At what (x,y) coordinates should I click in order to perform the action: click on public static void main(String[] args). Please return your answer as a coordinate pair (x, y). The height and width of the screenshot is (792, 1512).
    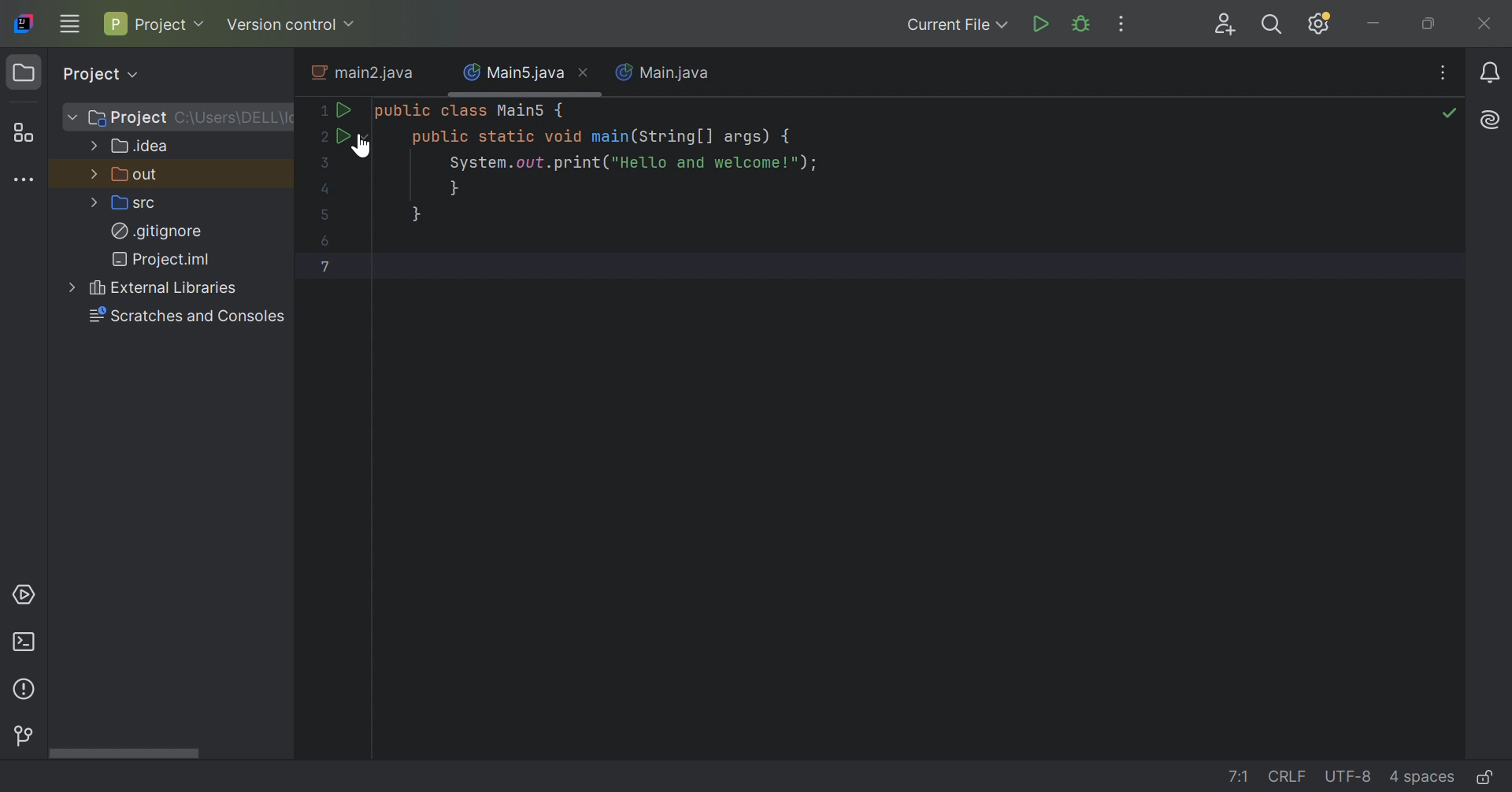
    Looking at the image, I should click on (601, 138).